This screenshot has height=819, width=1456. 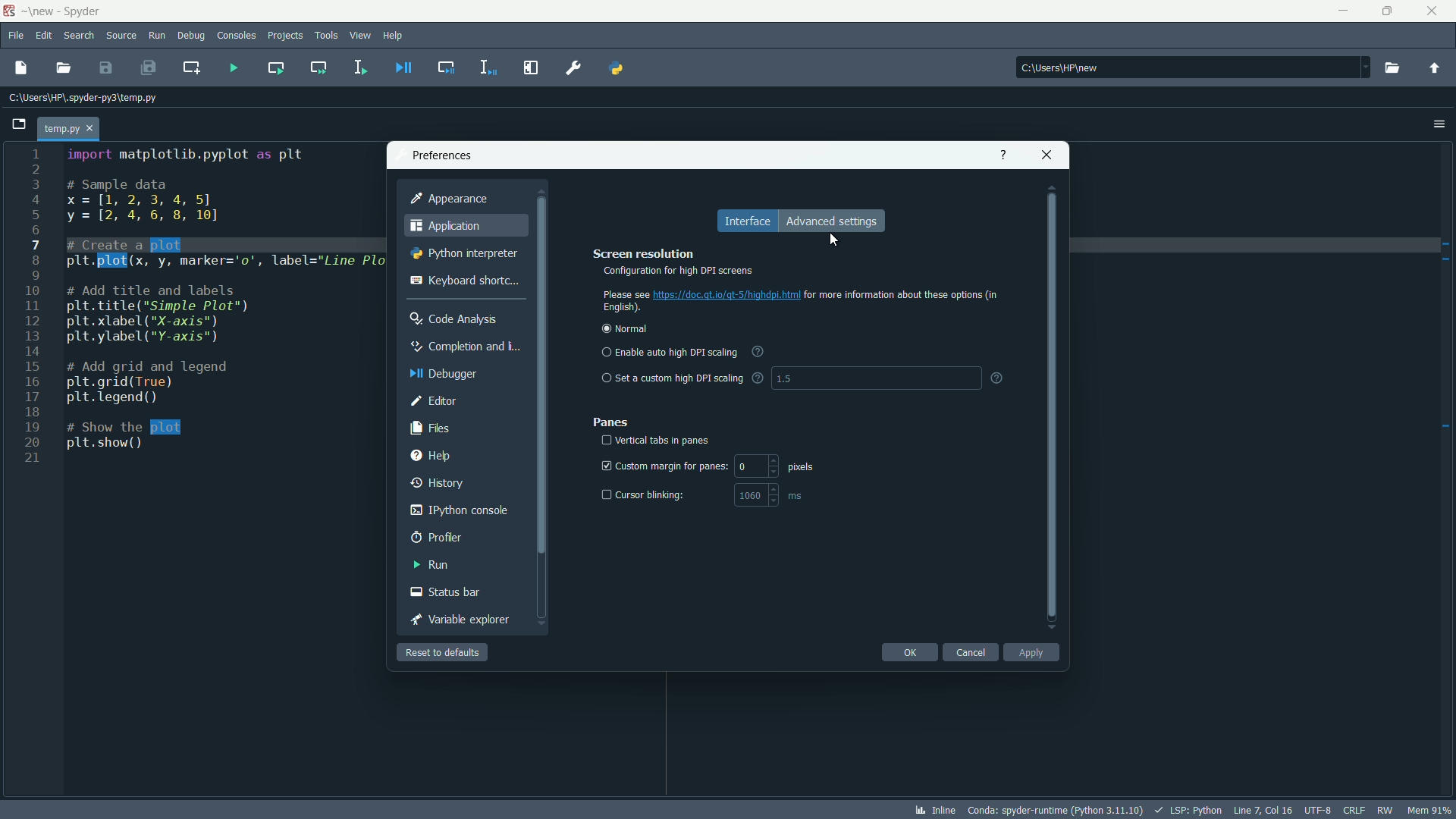 I want to click on preferences, so click(x=438, y=154).